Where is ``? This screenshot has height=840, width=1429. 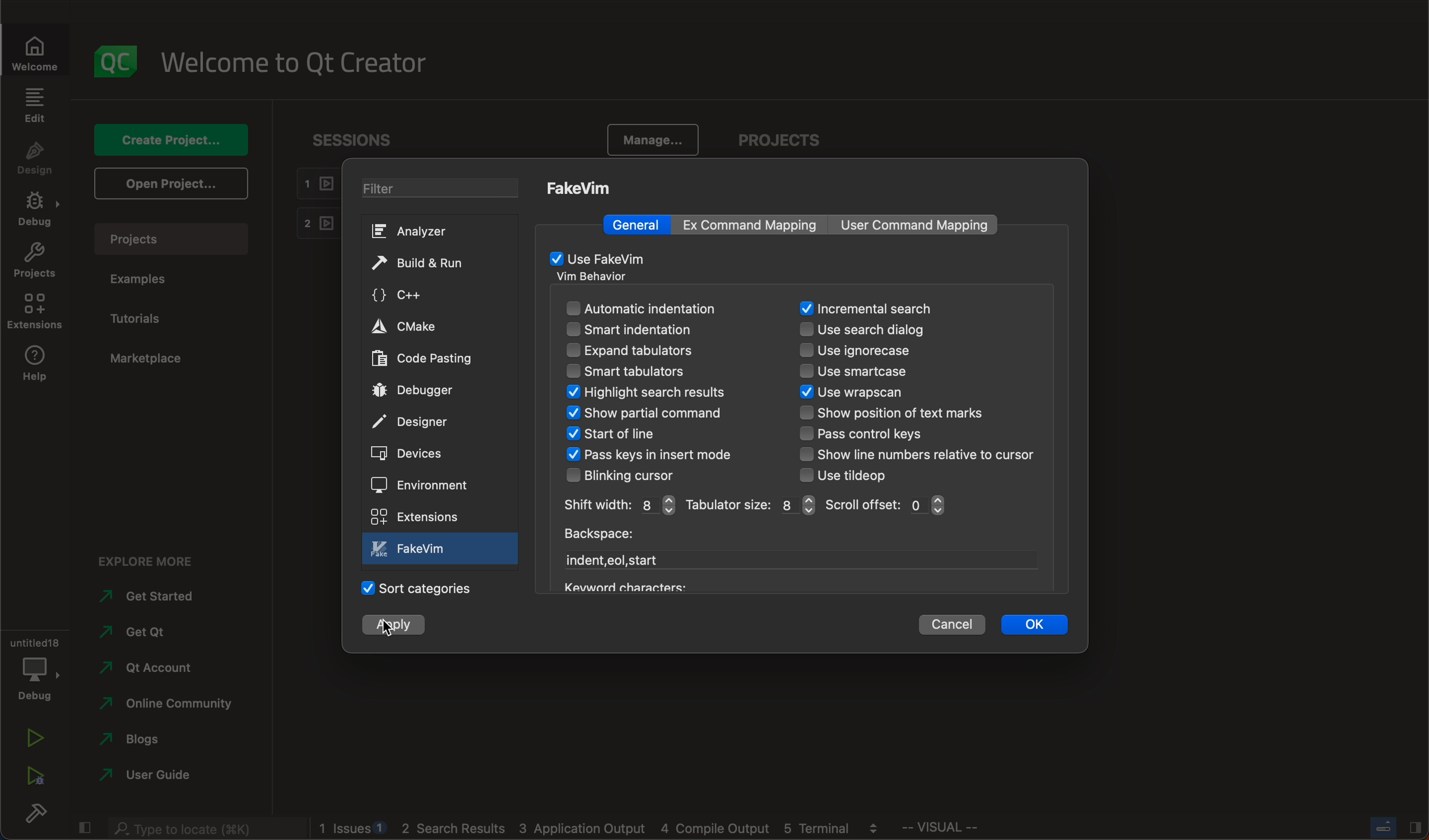
 is located at coordinates (622, 586).